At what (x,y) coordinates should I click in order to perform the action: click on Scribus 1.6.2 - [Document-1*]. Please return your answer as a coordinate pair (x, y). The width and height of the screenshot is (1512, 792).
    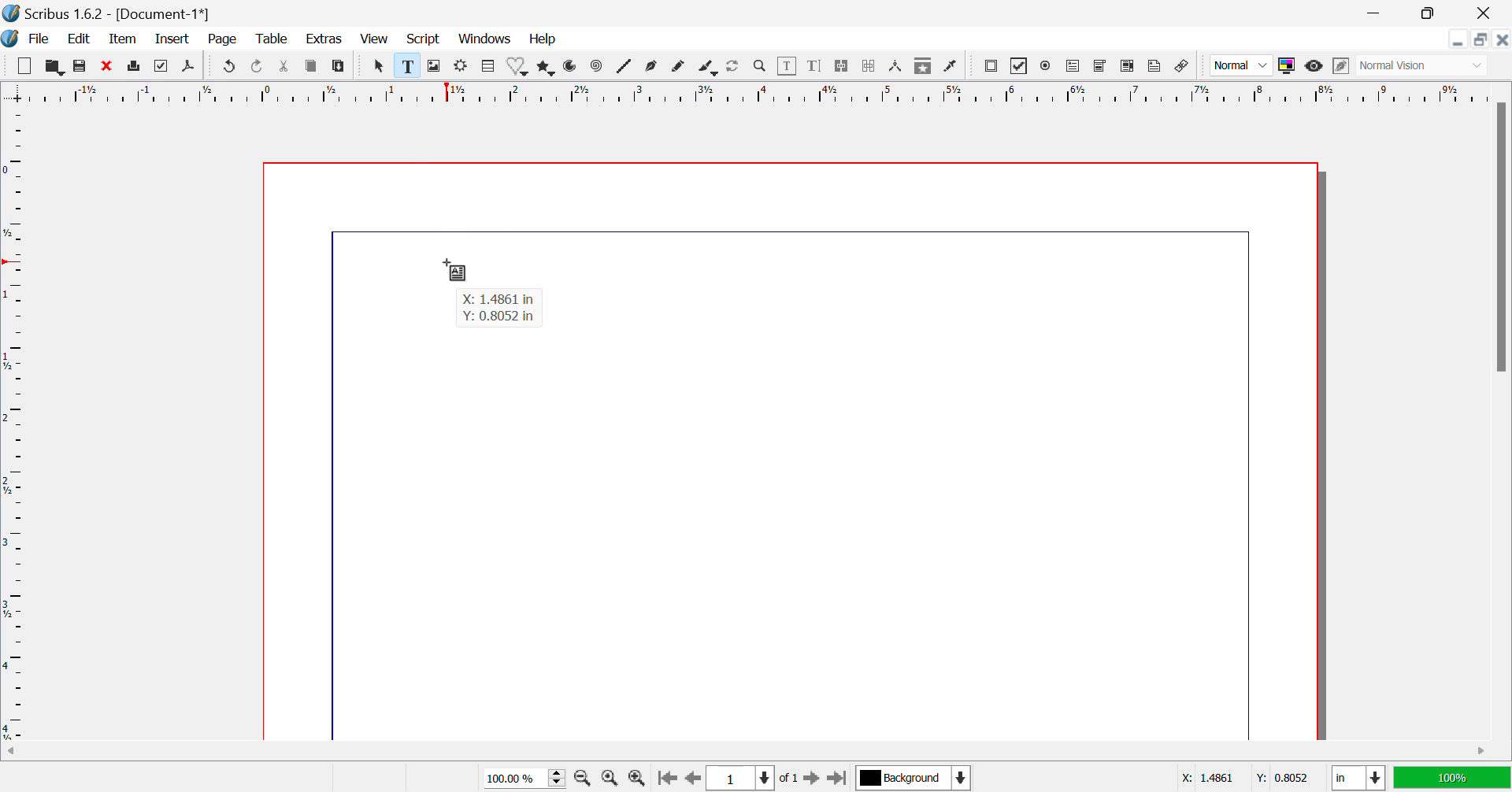
    Looking at the image, I should click on (119, 13).